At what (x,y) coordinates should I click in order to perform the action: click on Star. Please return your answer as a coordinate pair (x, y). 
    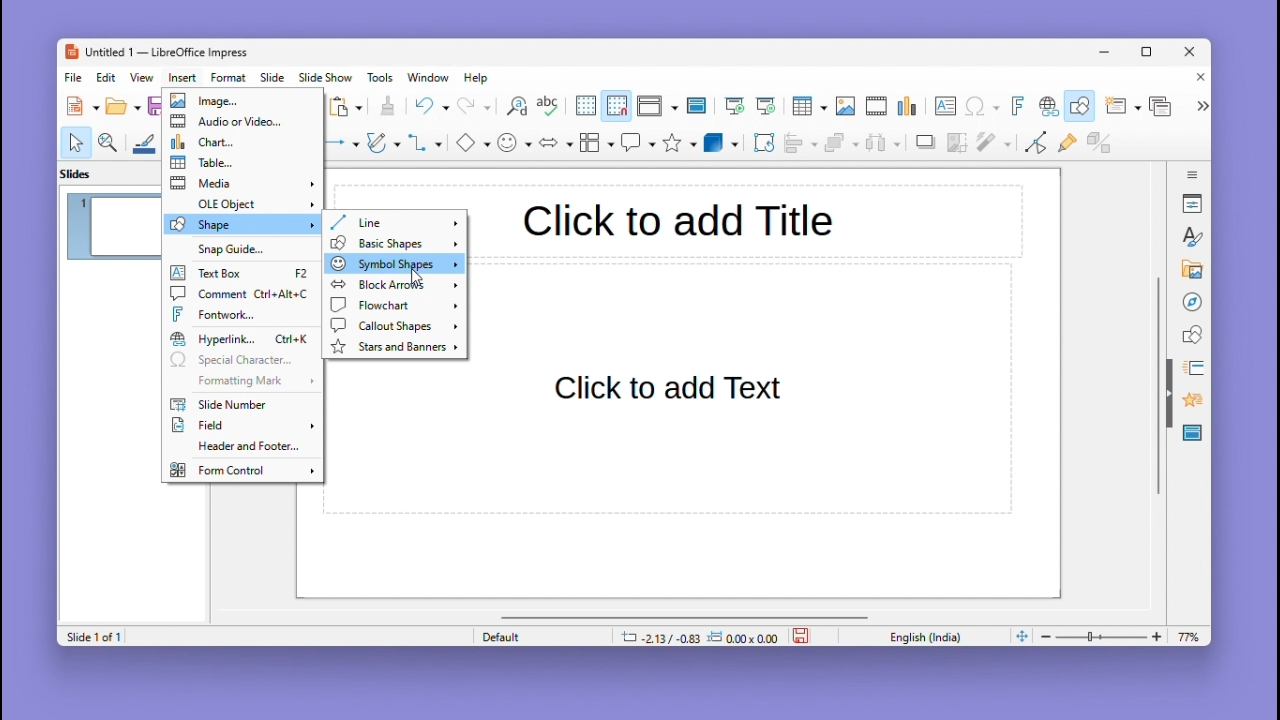
    Looking at the image, I should click on (680, 143).